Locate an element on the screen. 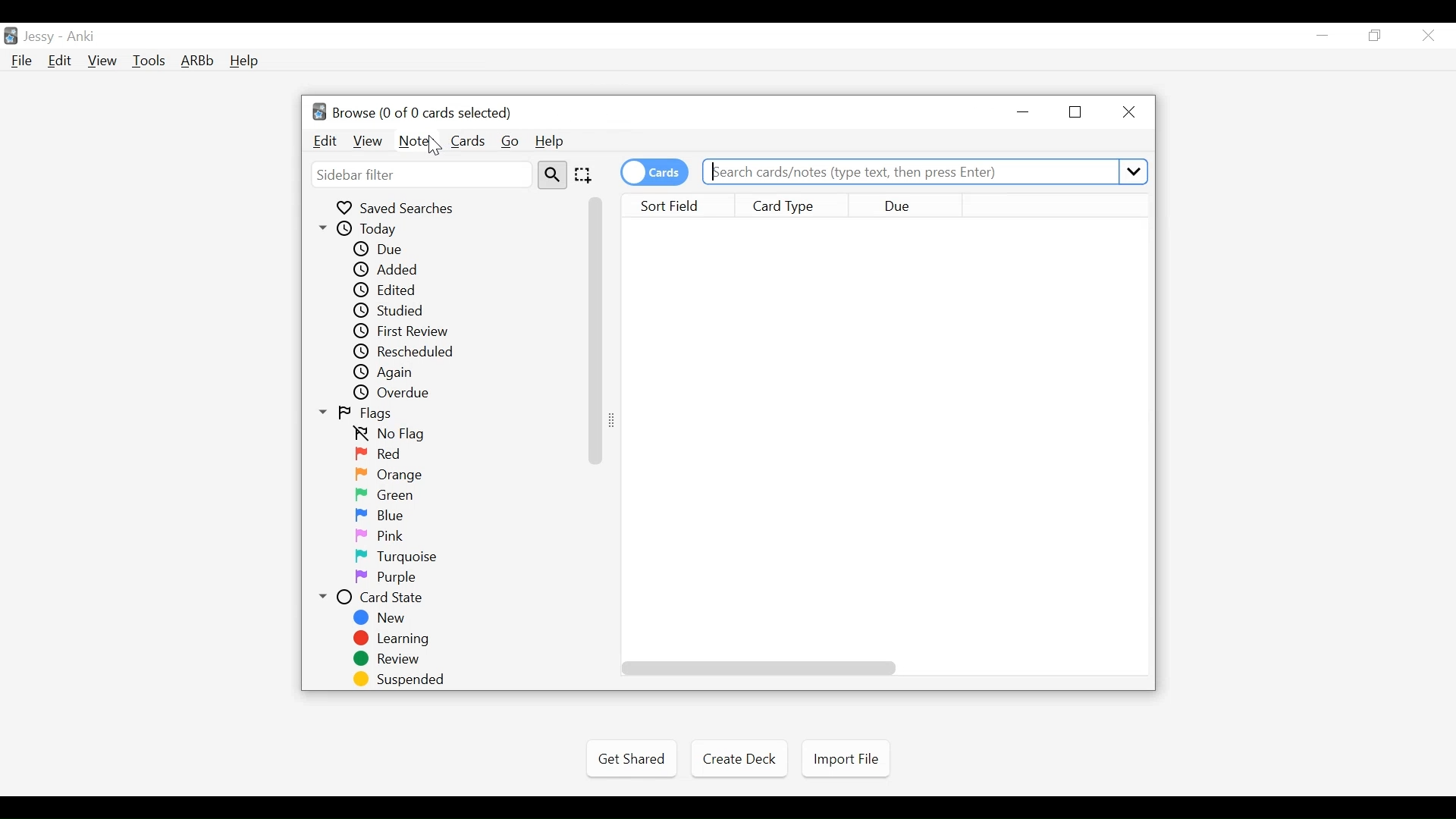 The width and height of the screenshot is (1456, 819). Studied is located at coordinates (390, 310).